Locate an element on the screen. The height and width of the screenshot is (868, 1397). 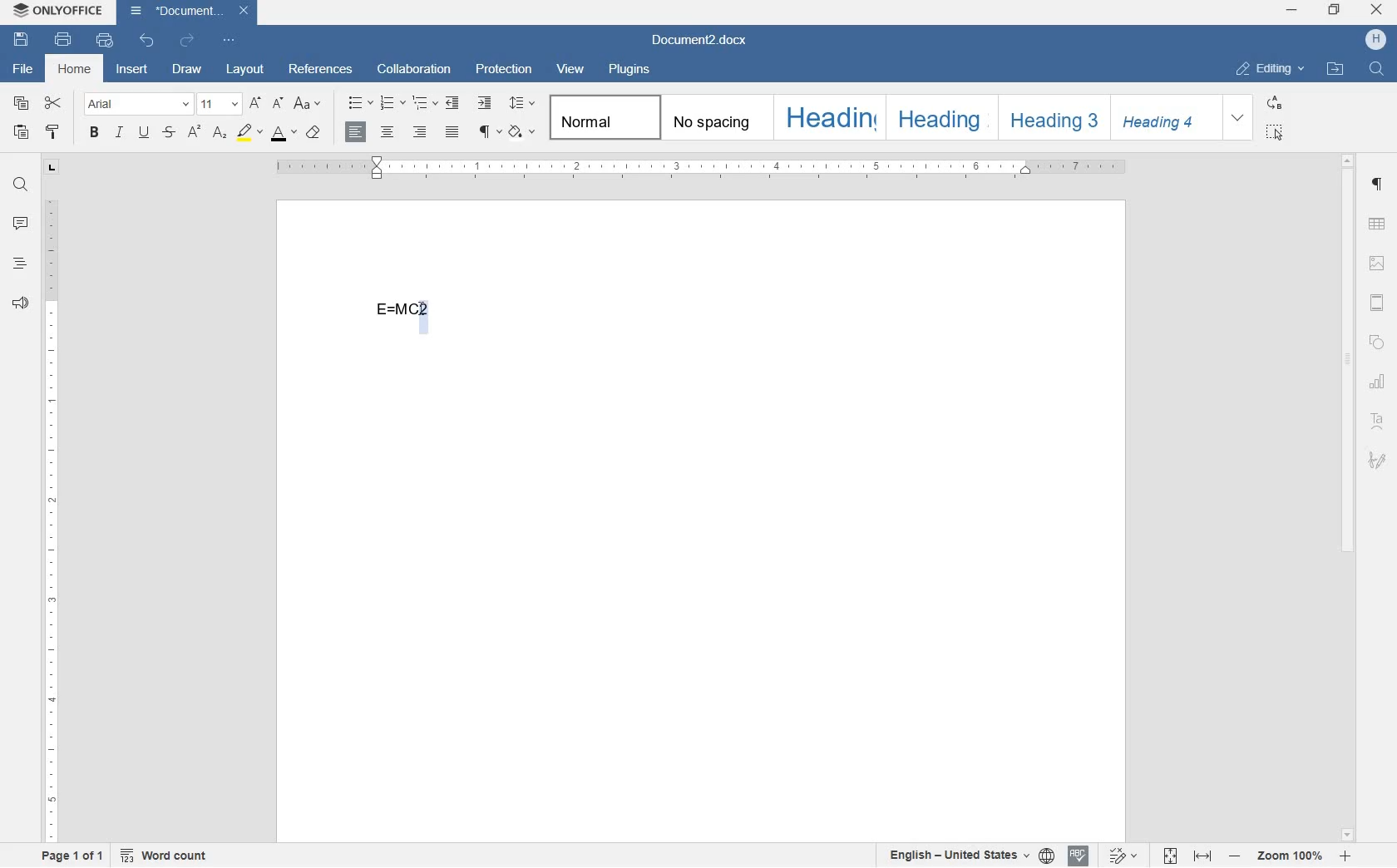
page 1 of 1 is located at coordinates (76, 858).